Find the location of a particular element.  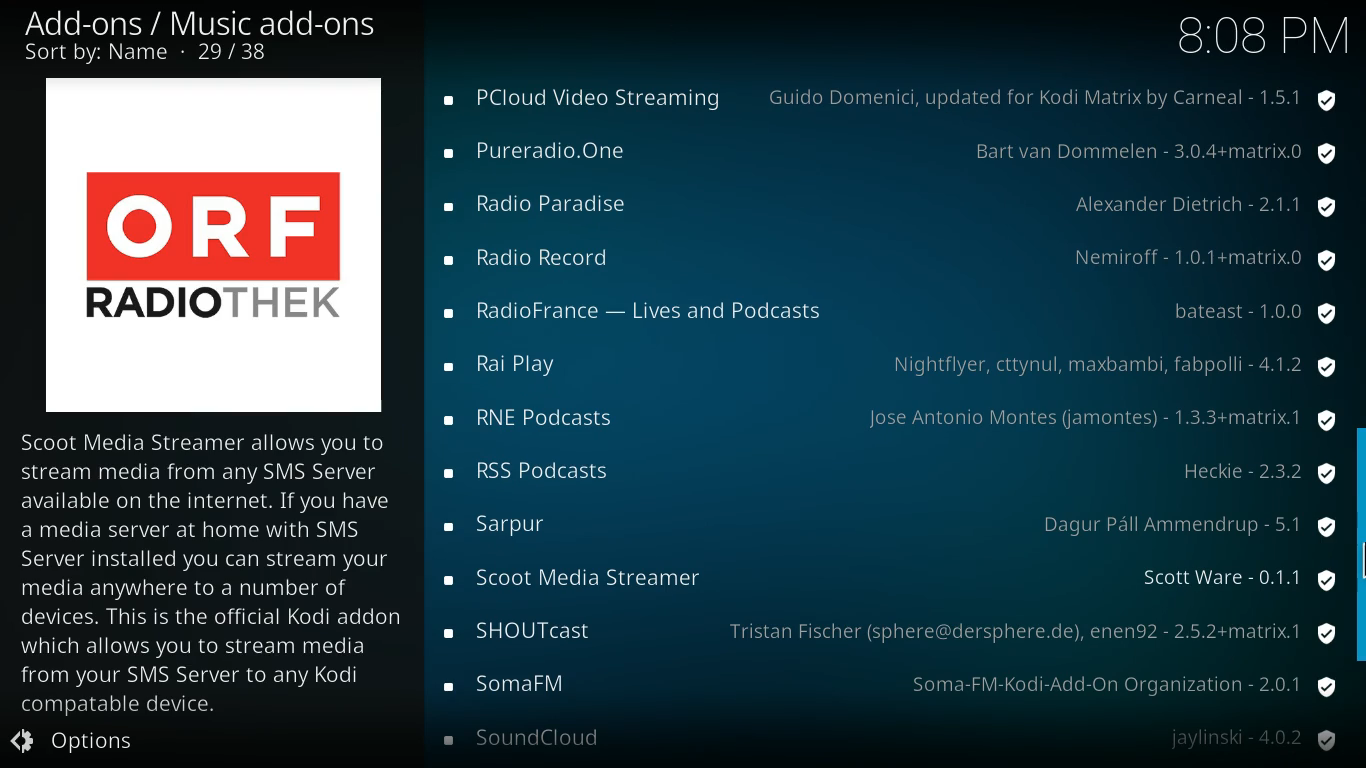

provider is located at coordinates (1117, 681).